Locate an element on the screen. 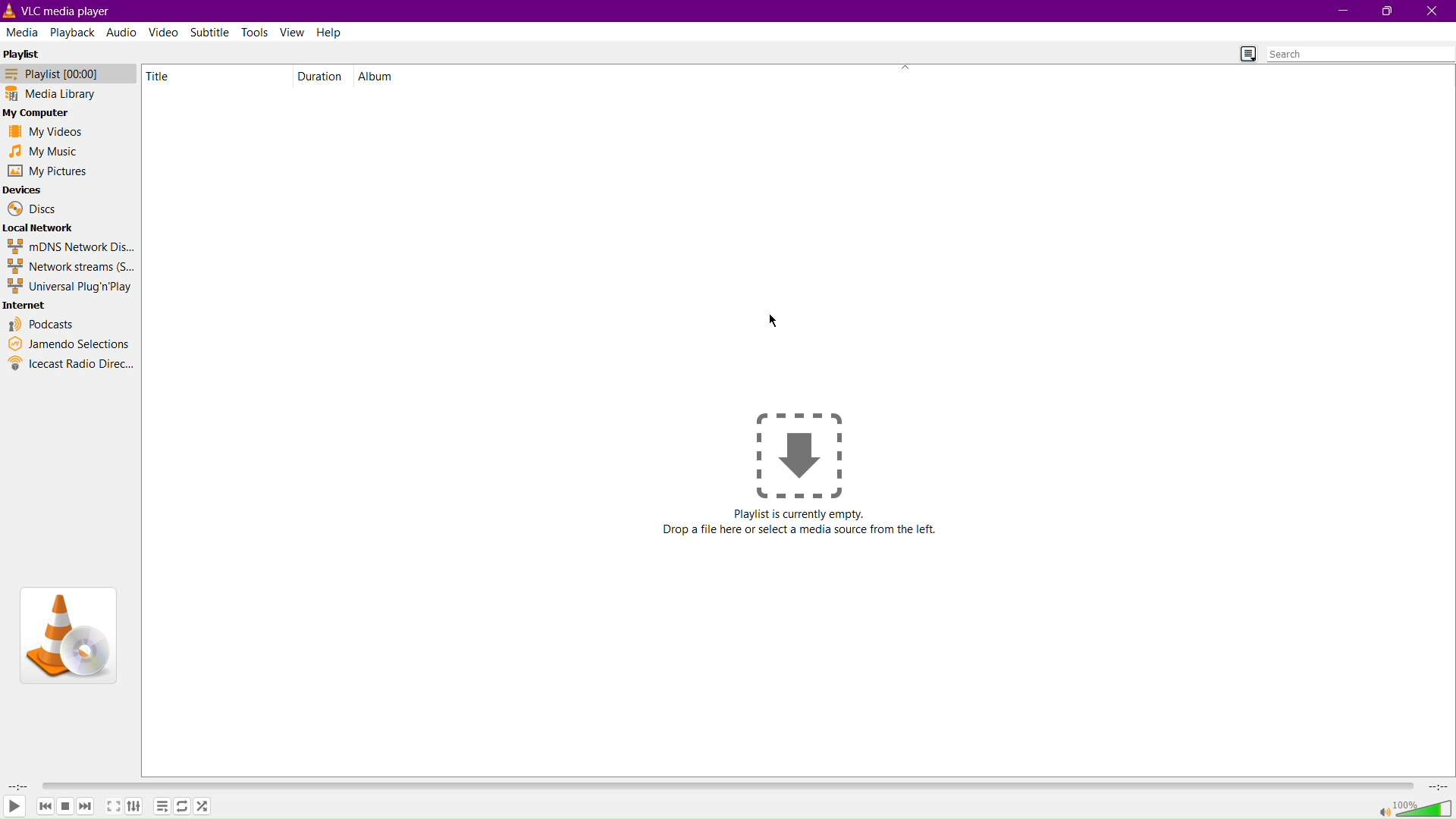 The image size is (1456, 819). Playback is located at coordinates (72, 31).